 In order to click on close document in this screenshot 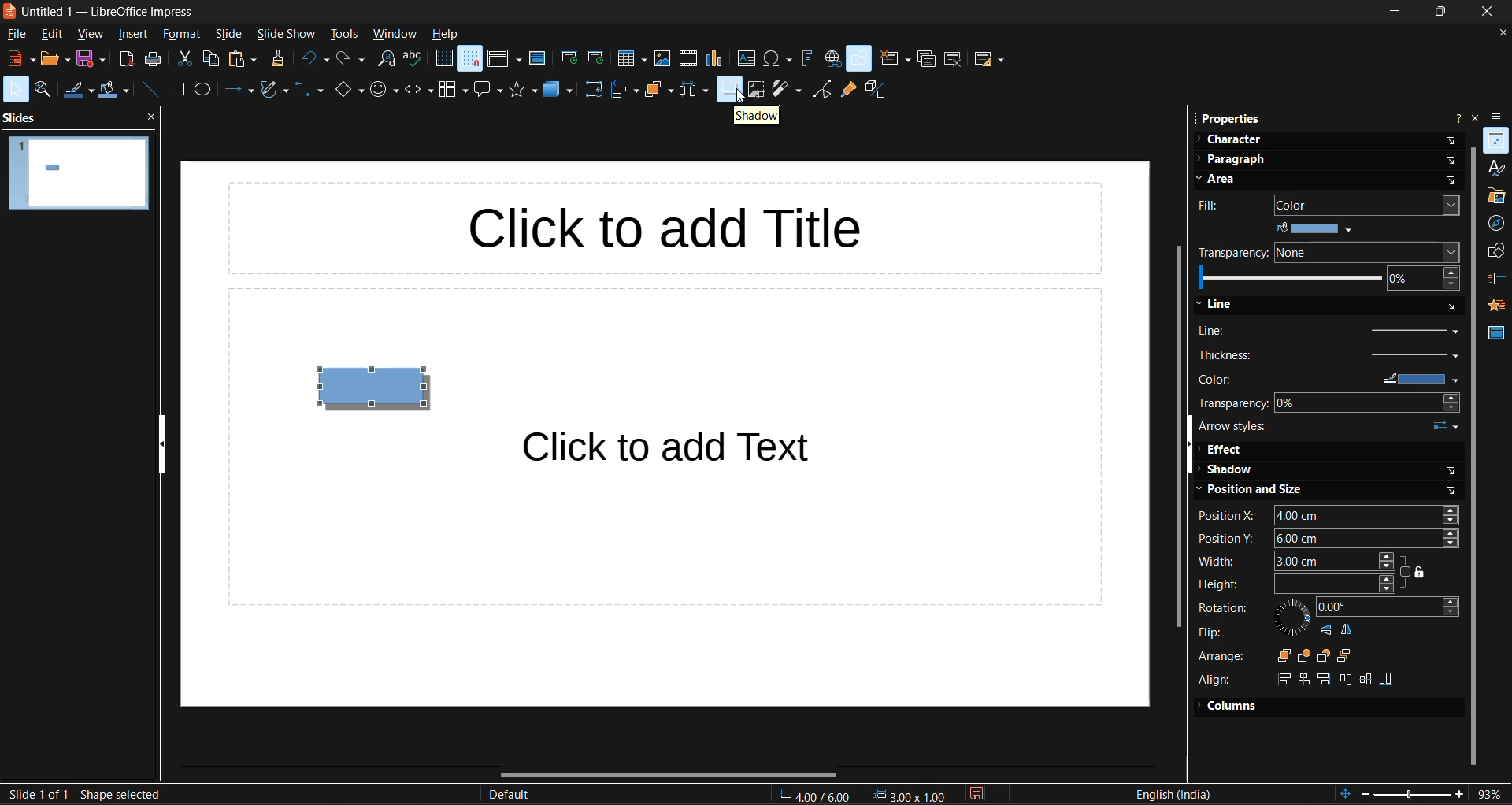, I will do `click(1499, 32)`.